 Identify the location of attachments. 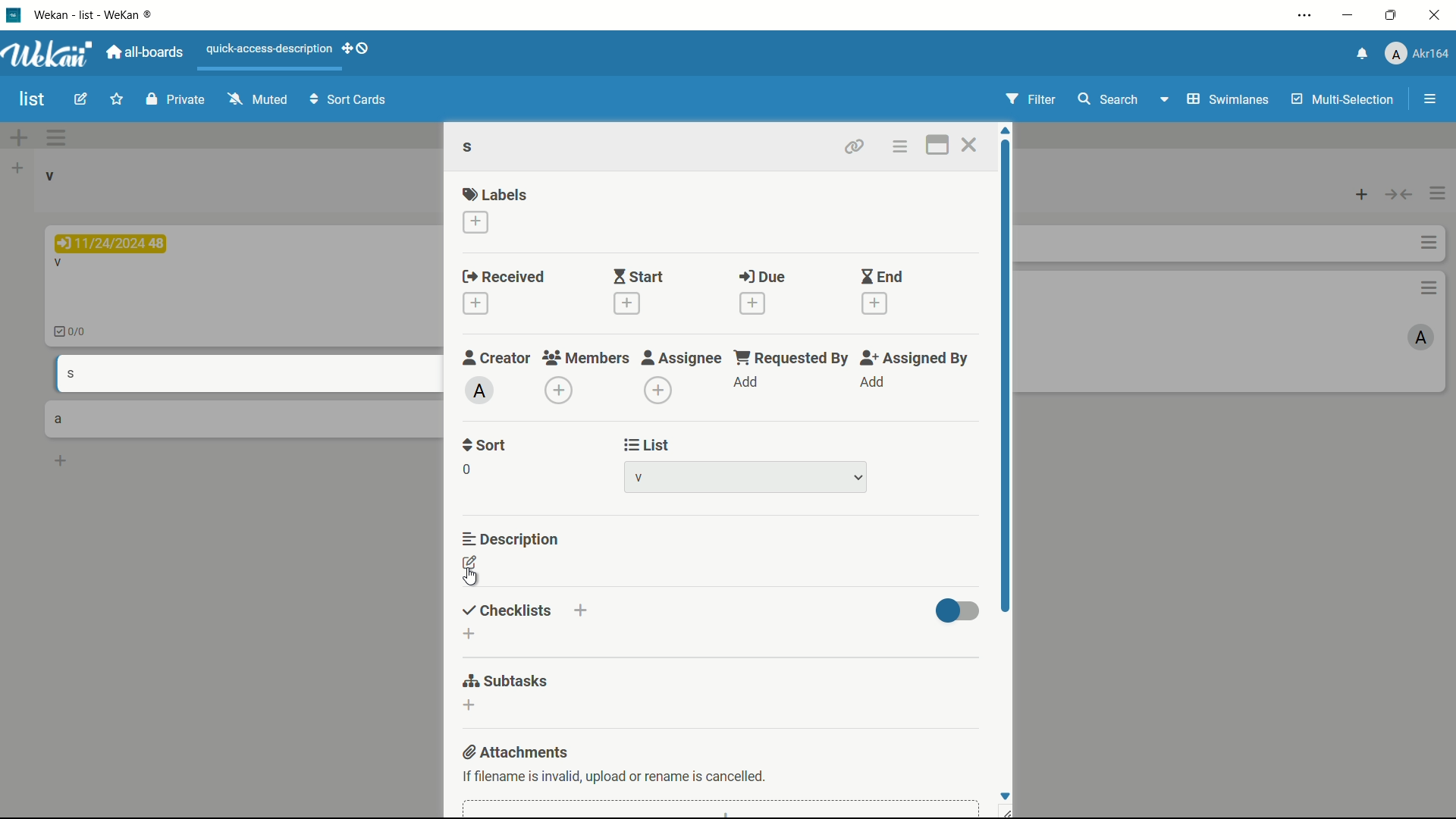
(517, 753).